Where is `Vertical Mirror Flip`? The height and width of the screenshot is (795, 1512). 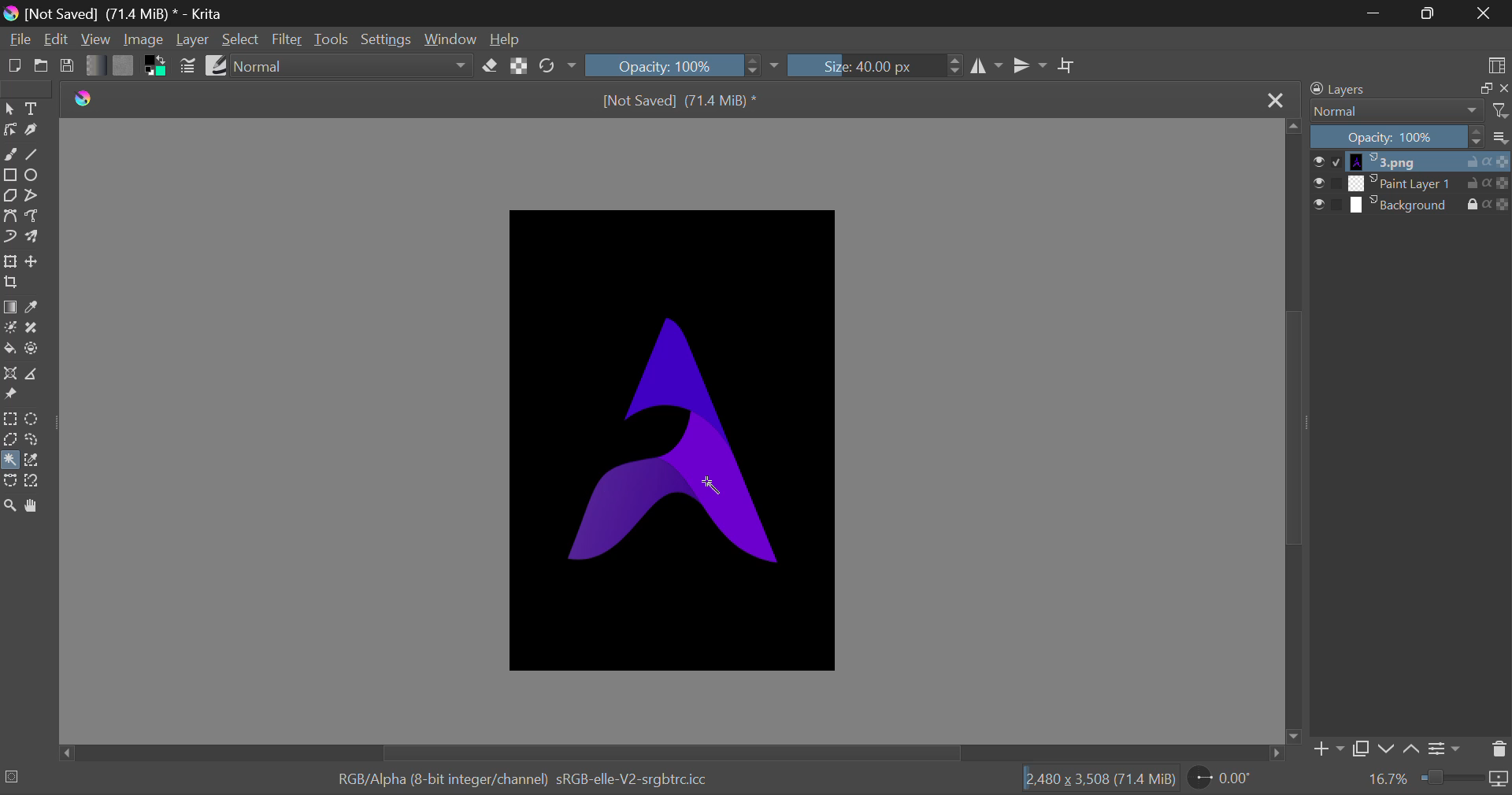
Vertical Mirror Flip is located at coordinates (988, 66).